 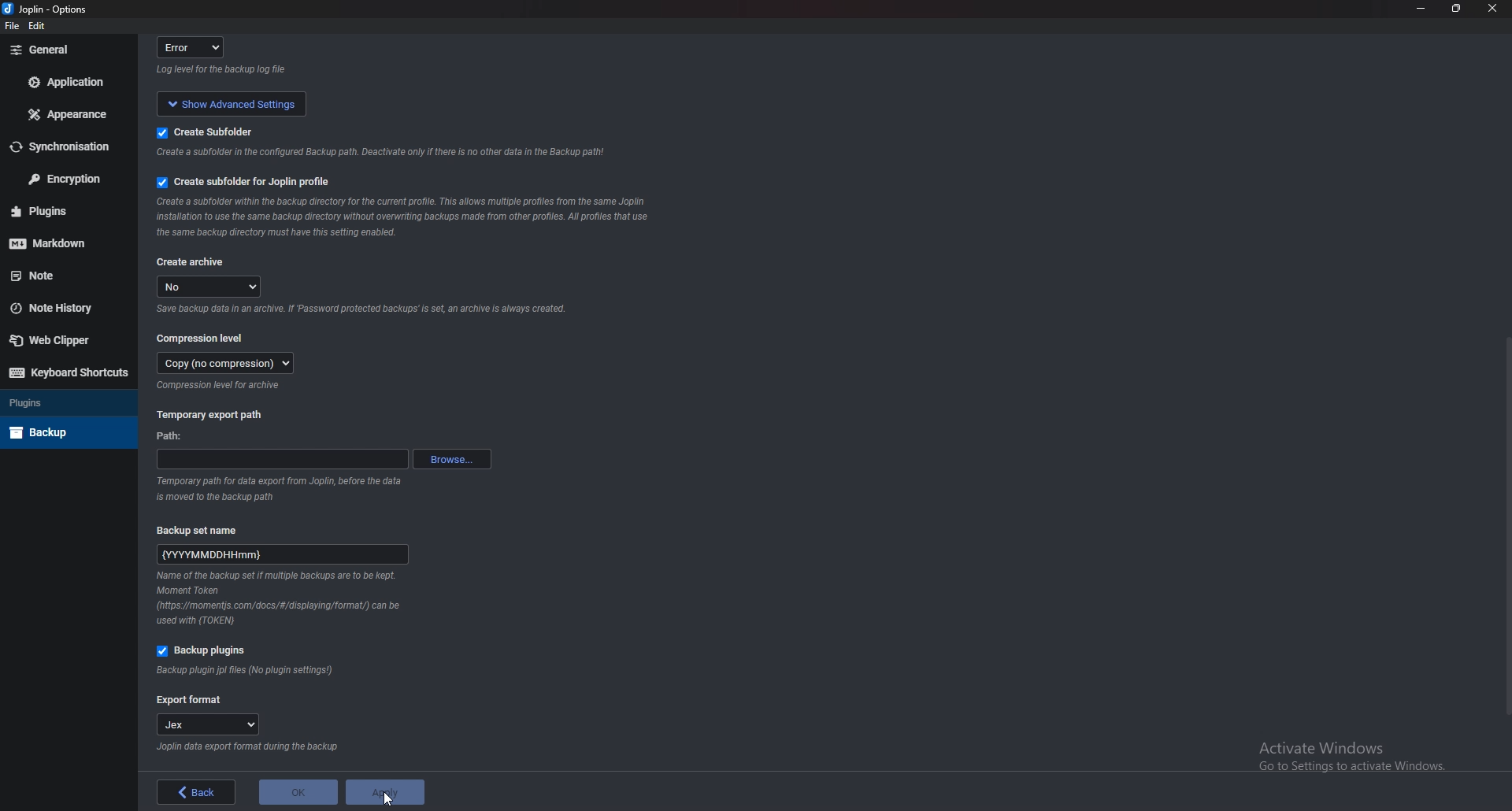 What do you see at coordinates (222, 386) in the screenshot?
I see `Info` at bounding box center [222, 386].